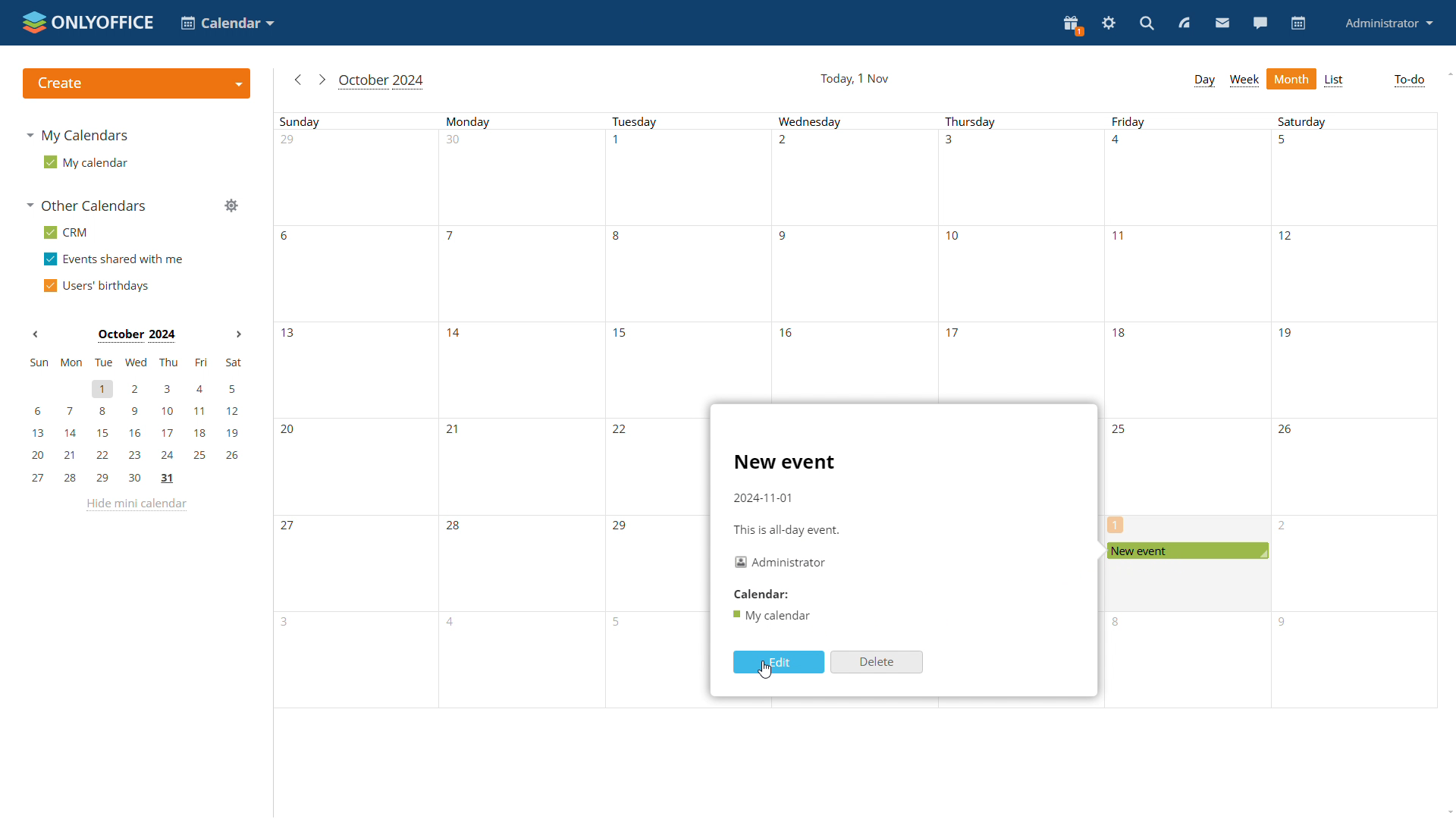 This screenshot has width=1456, height=819. Describe the element at coordinates (116, 260) in the screenshot. I see `events shared with me` at that location.